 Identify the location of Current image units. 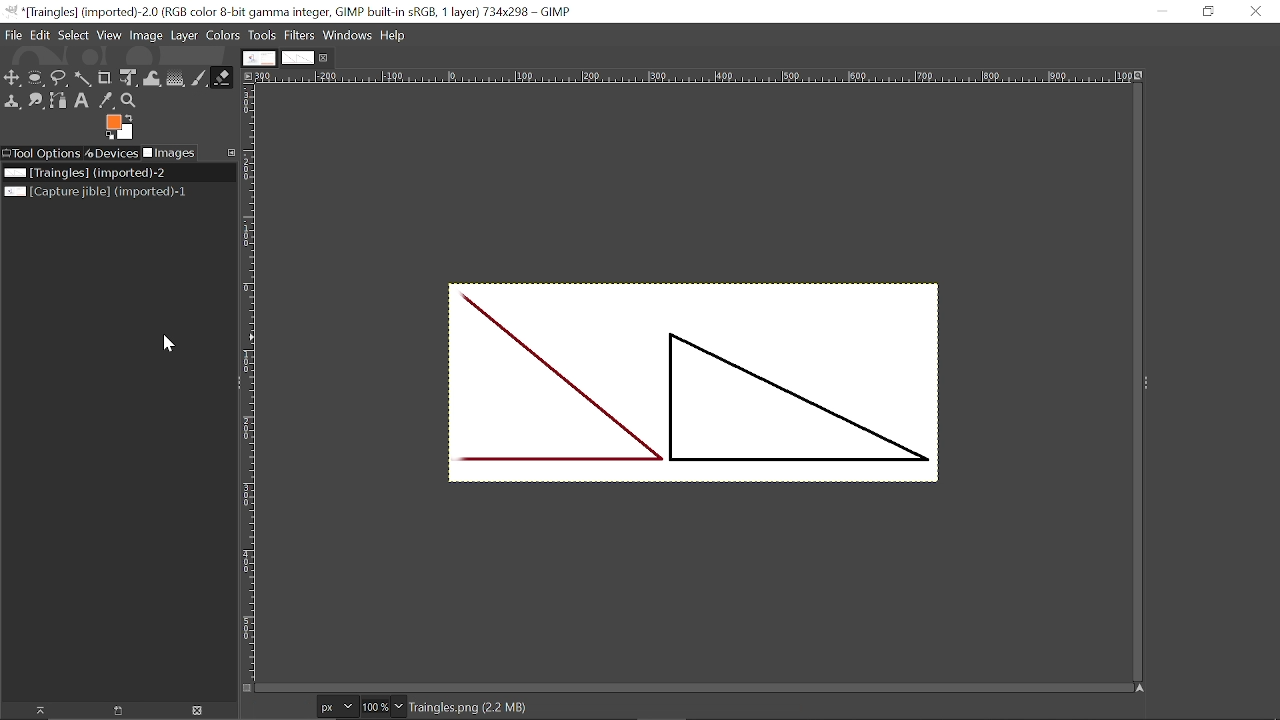
(336, 707).